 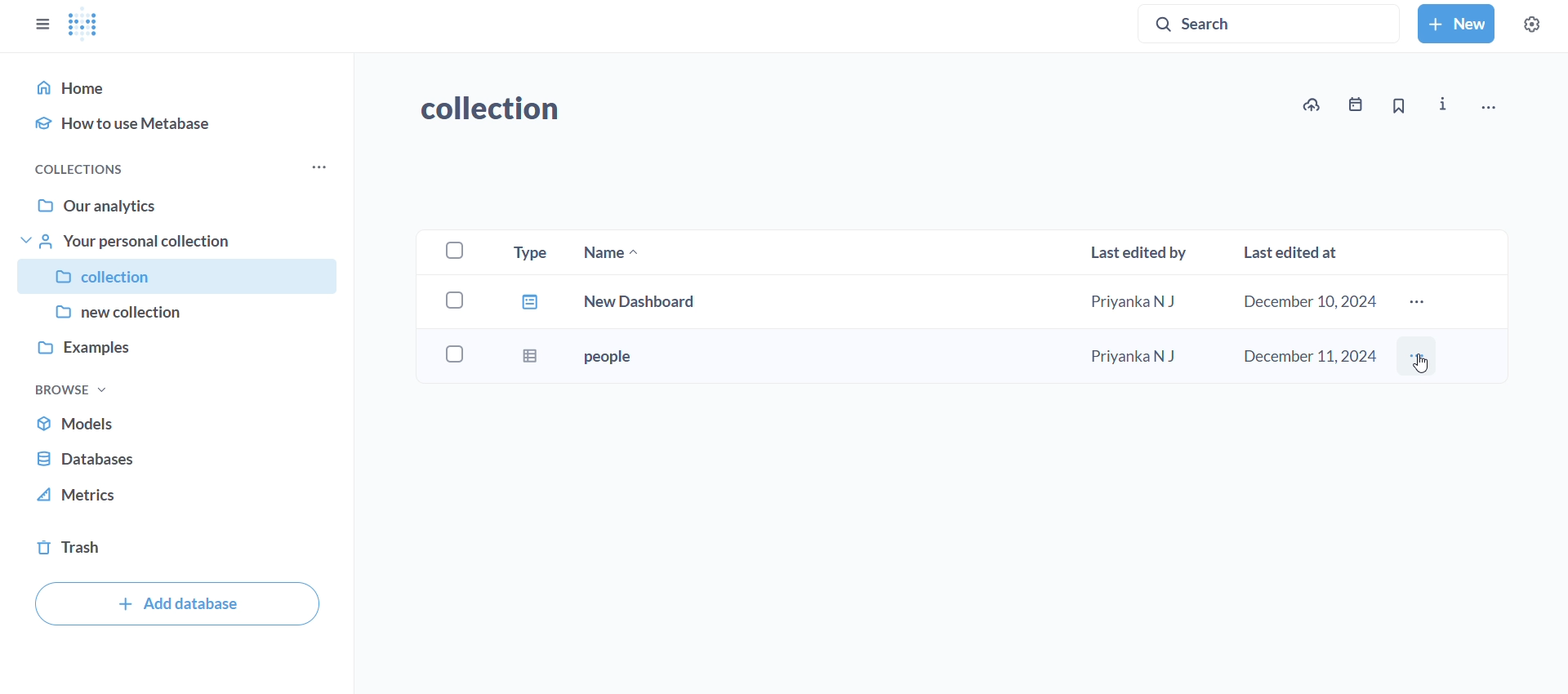 I want to click on people, so click(x=605, y=355).